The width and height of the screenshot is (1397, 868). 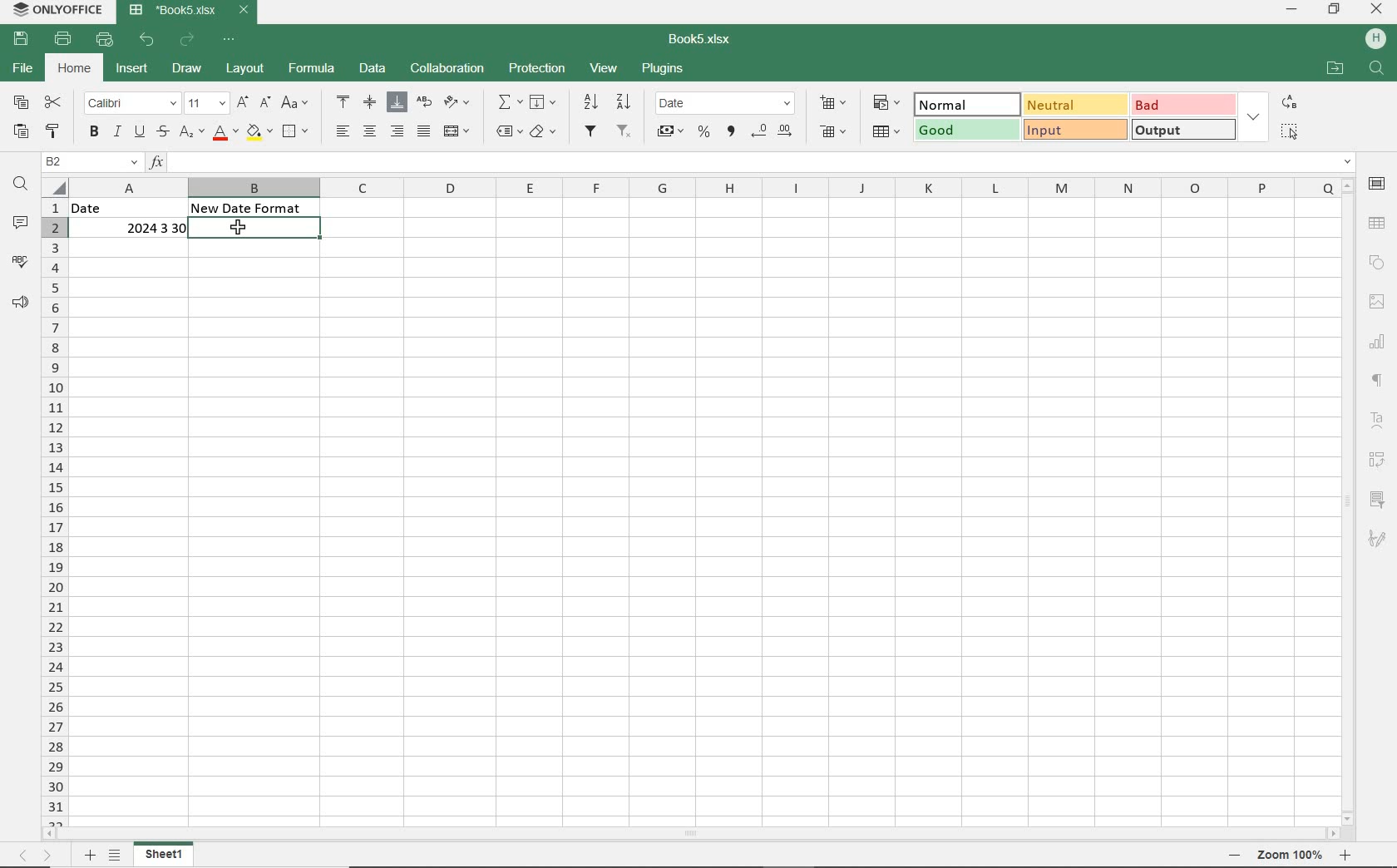 I want to click on WRAP TEXT, so click(x=424, y=102).